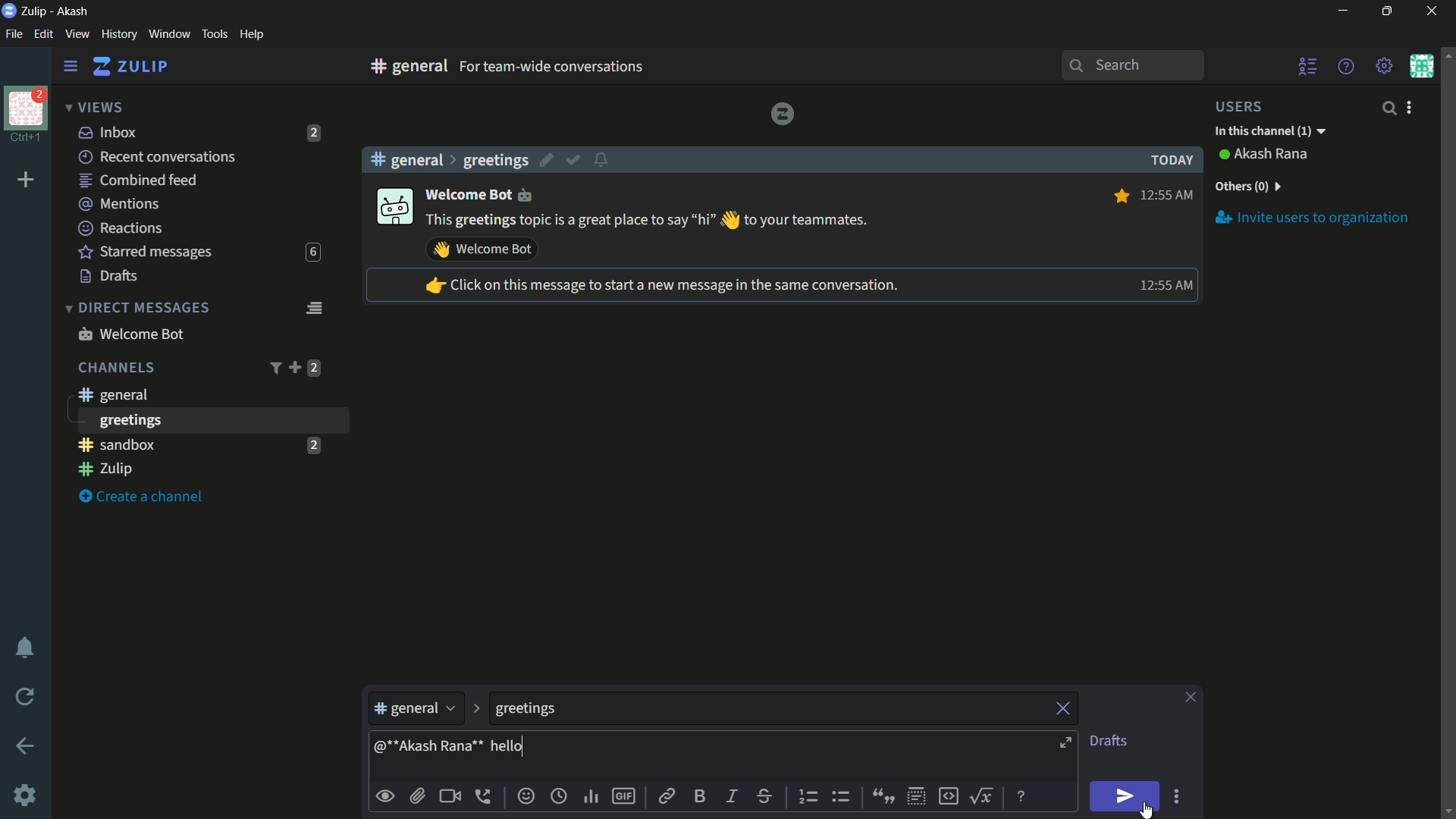  I want to click on profile, so click(26, 107).